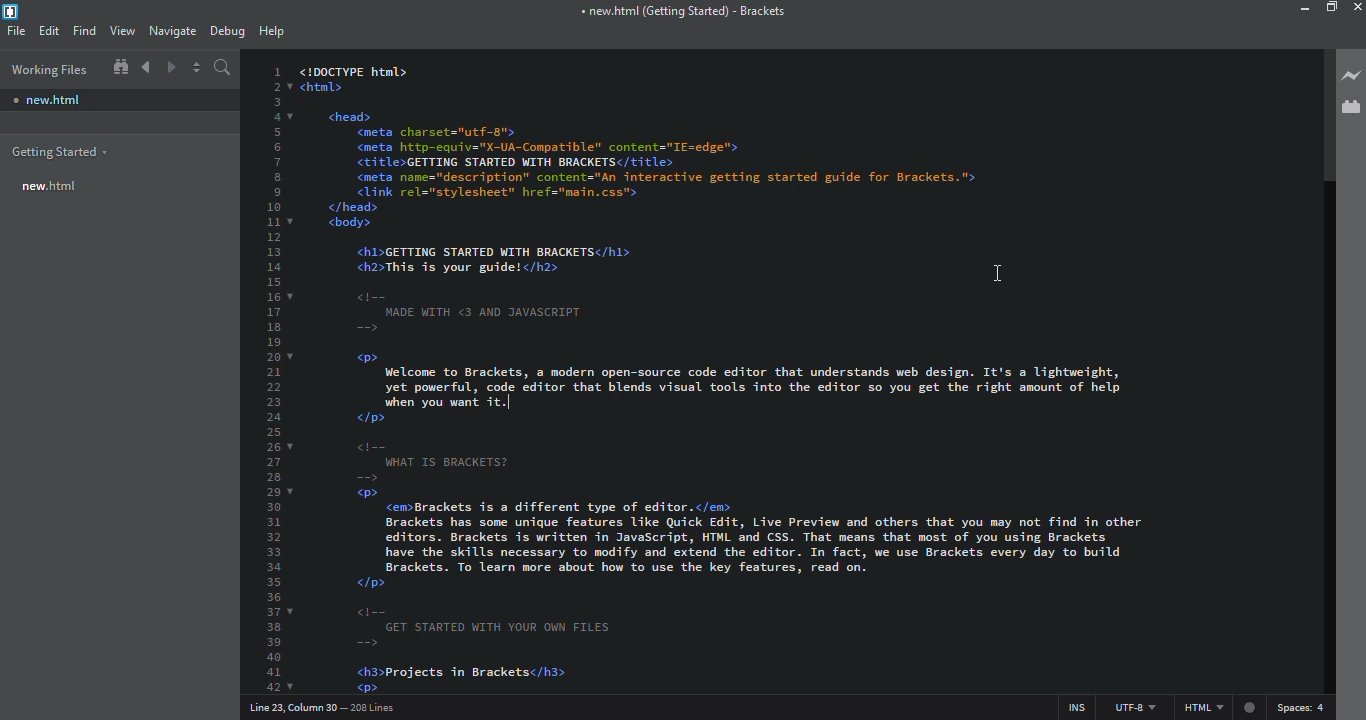 The height and width of the screenshot is (720, 1366). Describe the element at coordinates (84, 30) in the screenshot. I see `find` at that location.